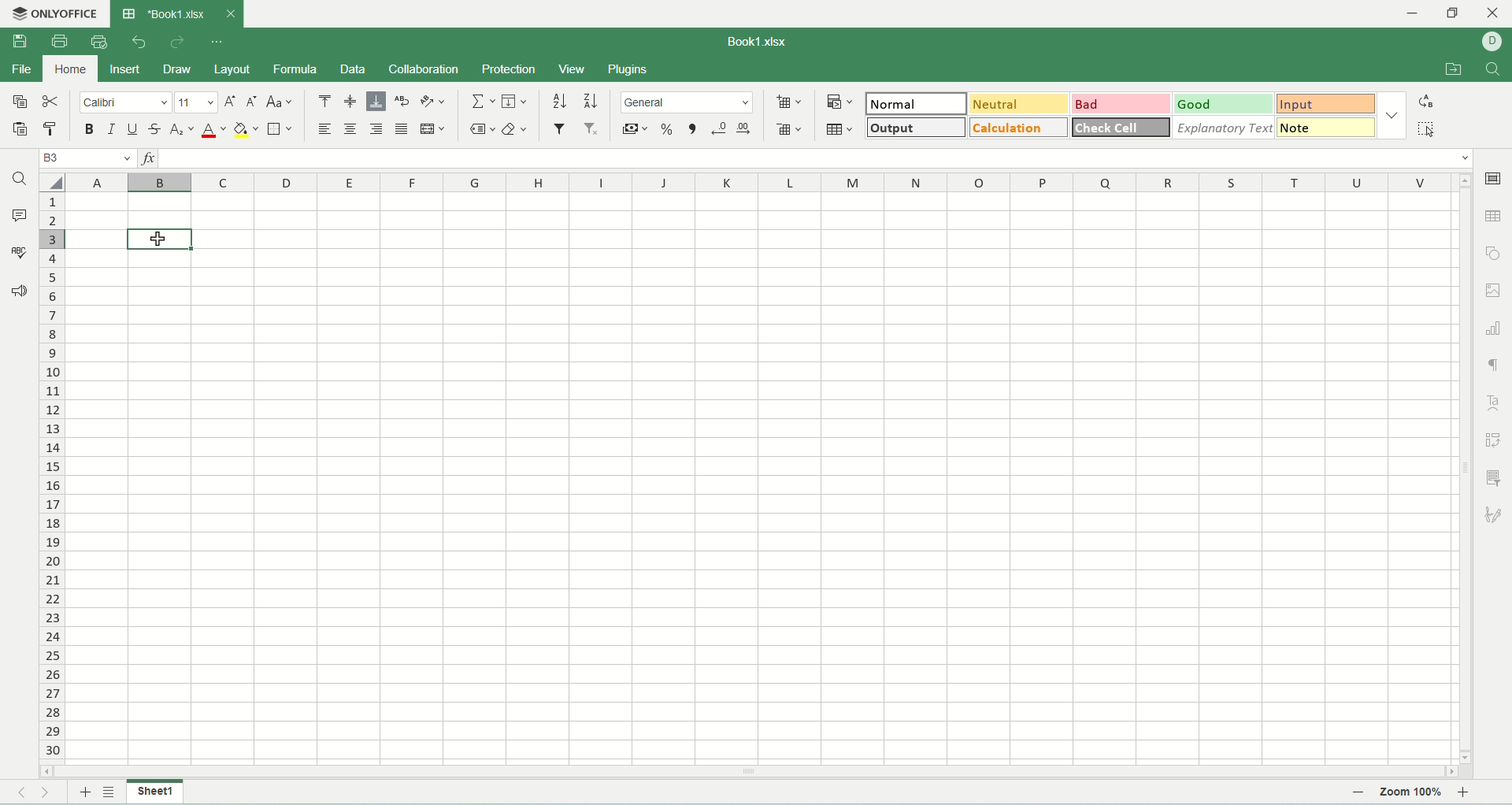  Describe the element at coordinates (53, 183) in the screenshot. I see `select all` at that location.